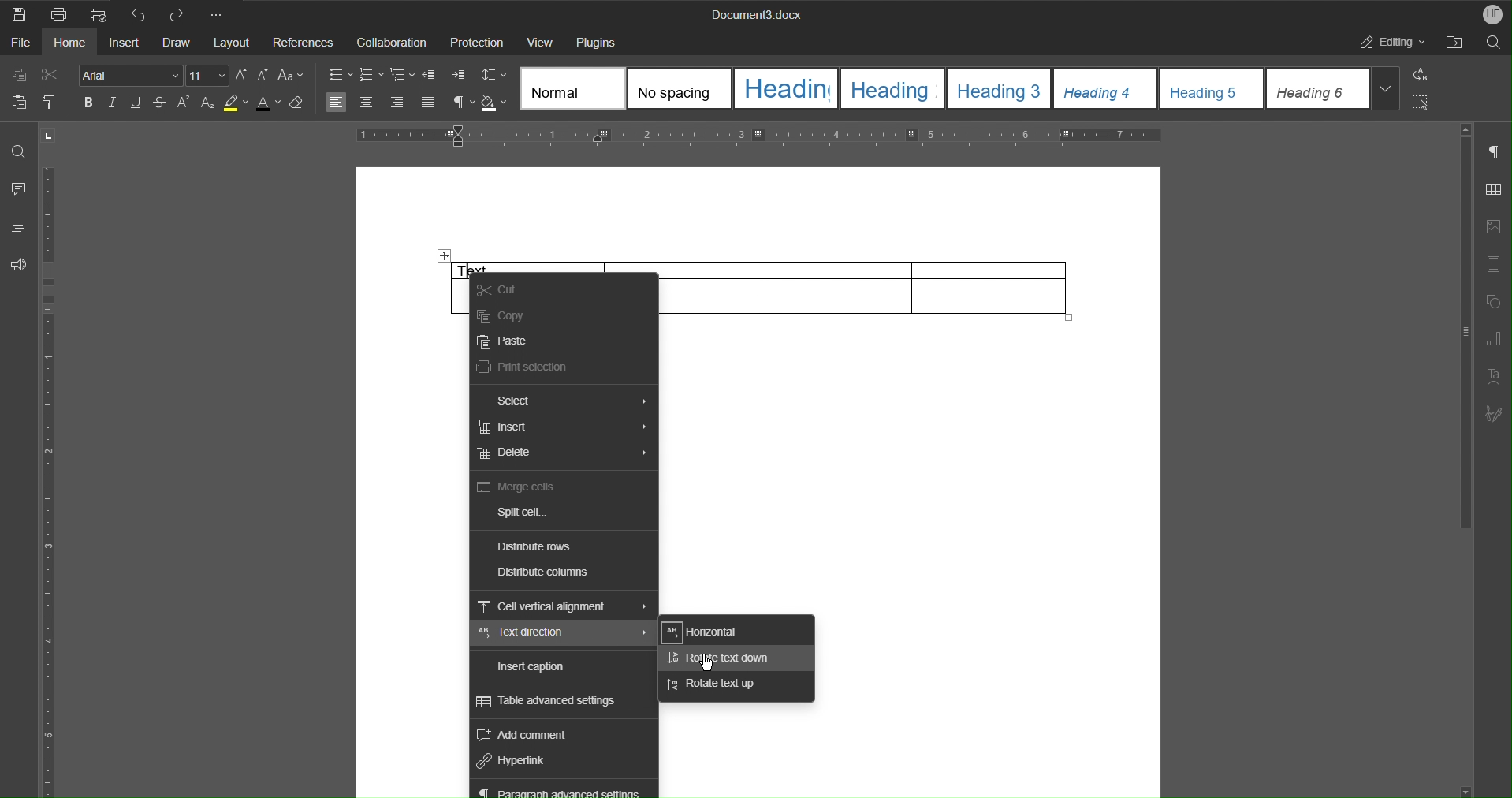  Describe the element at coordinates (20, 76) in the screenshot. I see `Copy` at that location.